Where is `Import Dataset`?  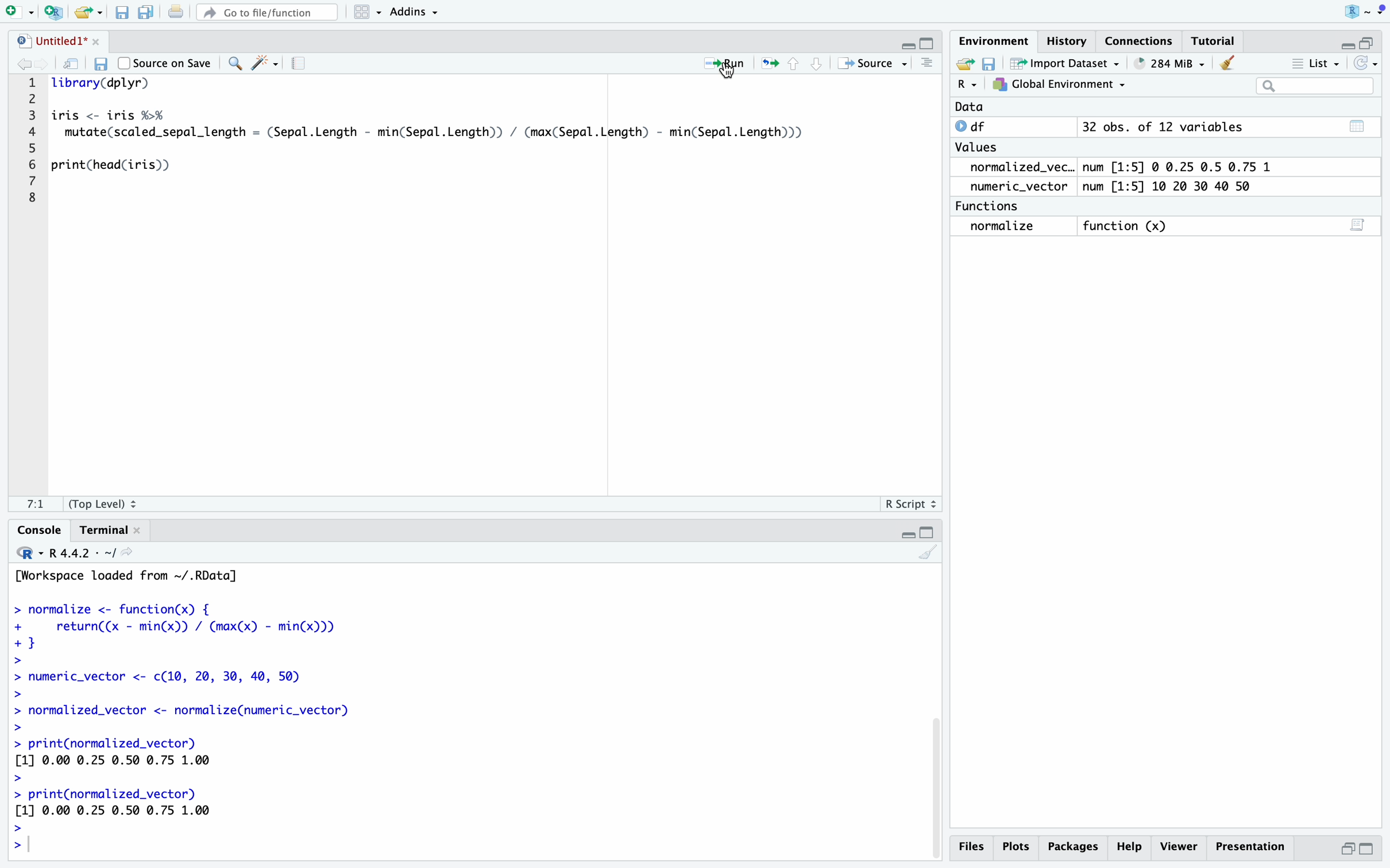
Import Dataset is located at coordinates (1068, 63).